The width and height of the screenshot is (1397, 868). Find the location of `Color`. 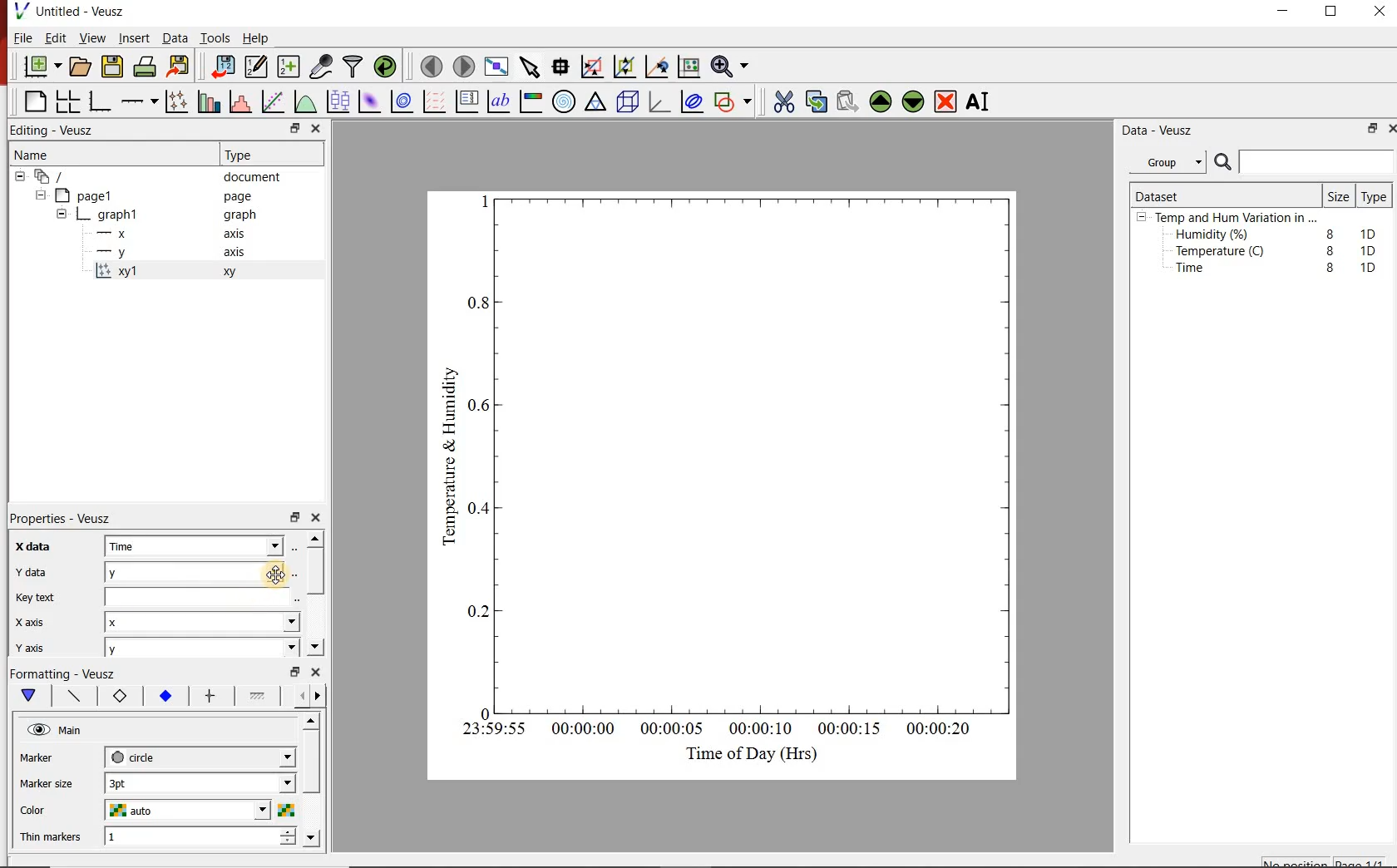

Color is located at coordinates (52, 811).